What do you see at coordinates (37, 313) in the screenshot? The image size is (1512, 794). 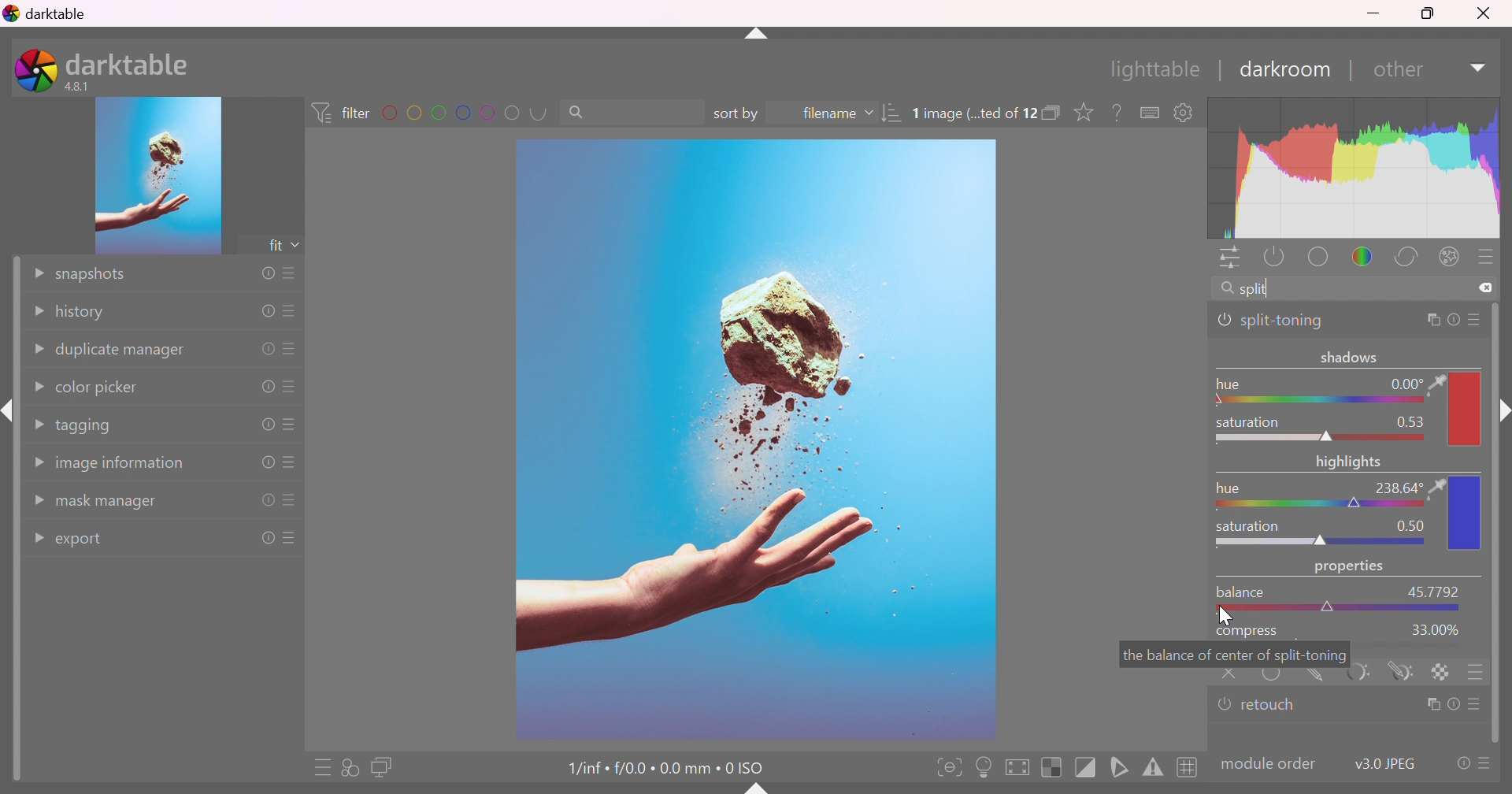 I see `Drop Down` at bounding box center [37, 313].